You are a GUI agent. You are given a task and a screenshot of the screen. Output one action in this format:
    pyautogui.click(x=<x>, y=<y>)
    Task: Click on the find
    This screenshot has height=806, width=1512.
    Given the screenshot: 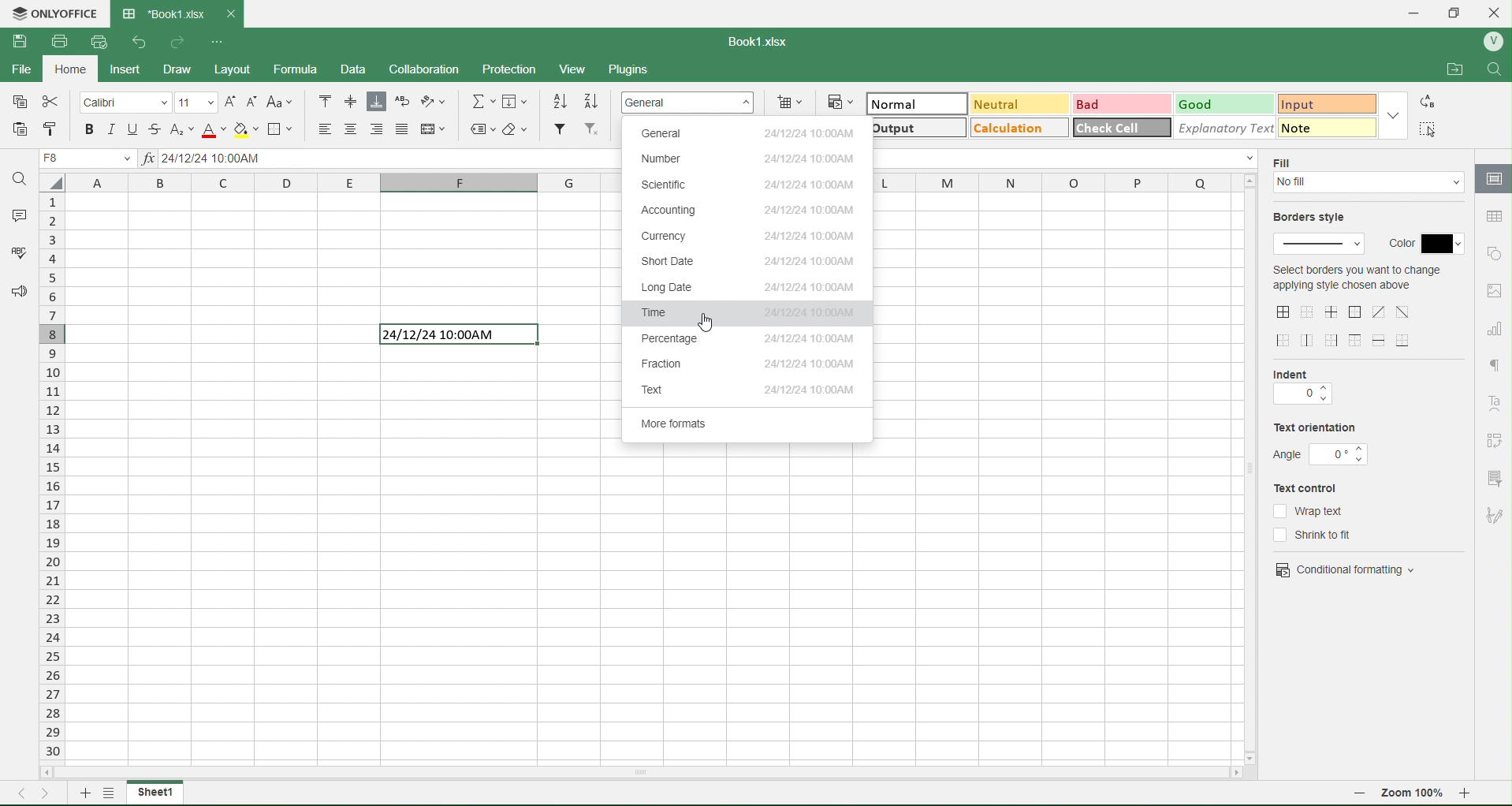 What is the action you would take?
    pyautogui.click(x=1499, y=69)
    